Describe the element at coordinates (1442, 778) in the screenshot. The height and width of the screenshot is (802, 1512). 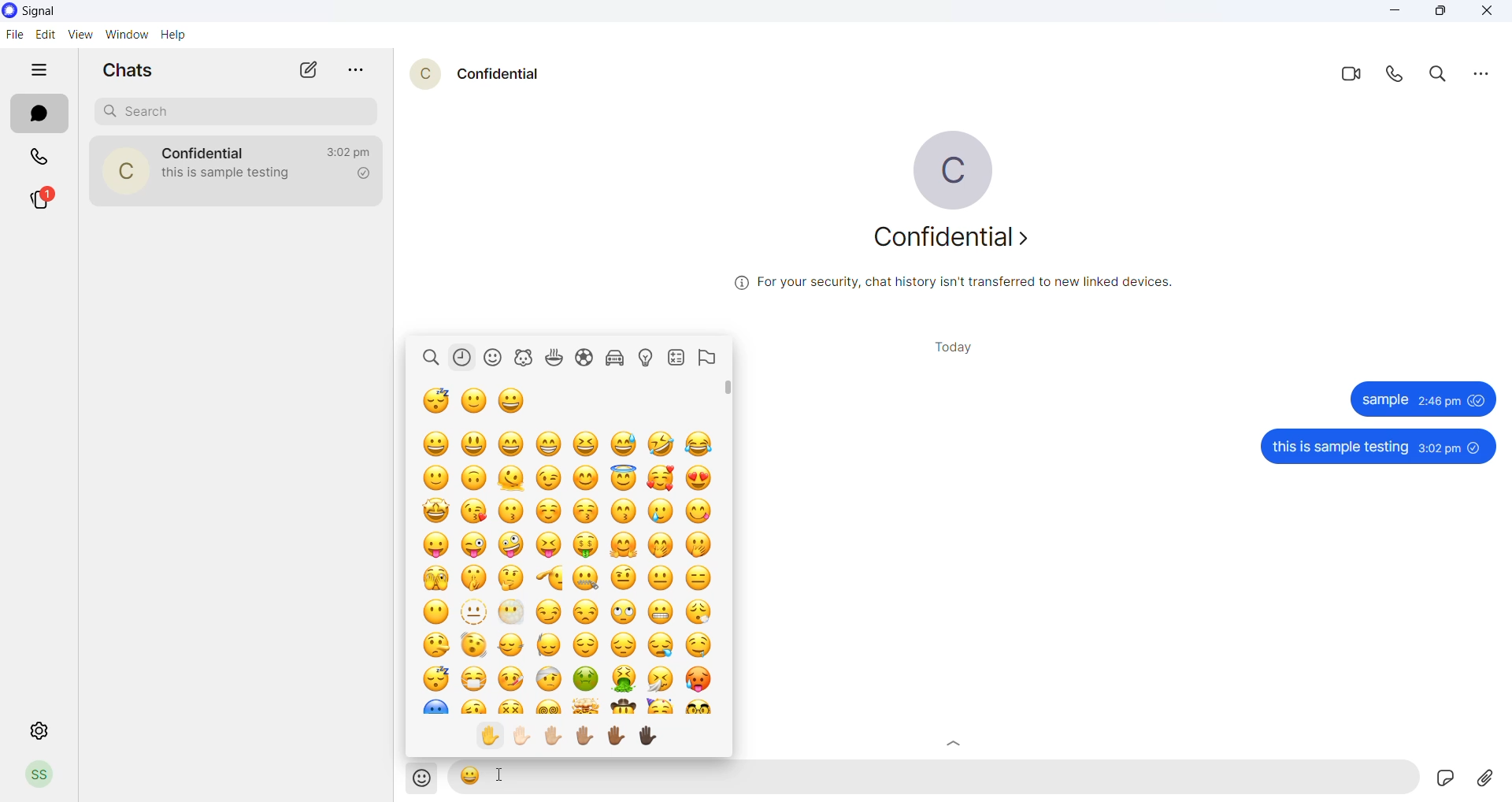
I see `Sticker` at that location.